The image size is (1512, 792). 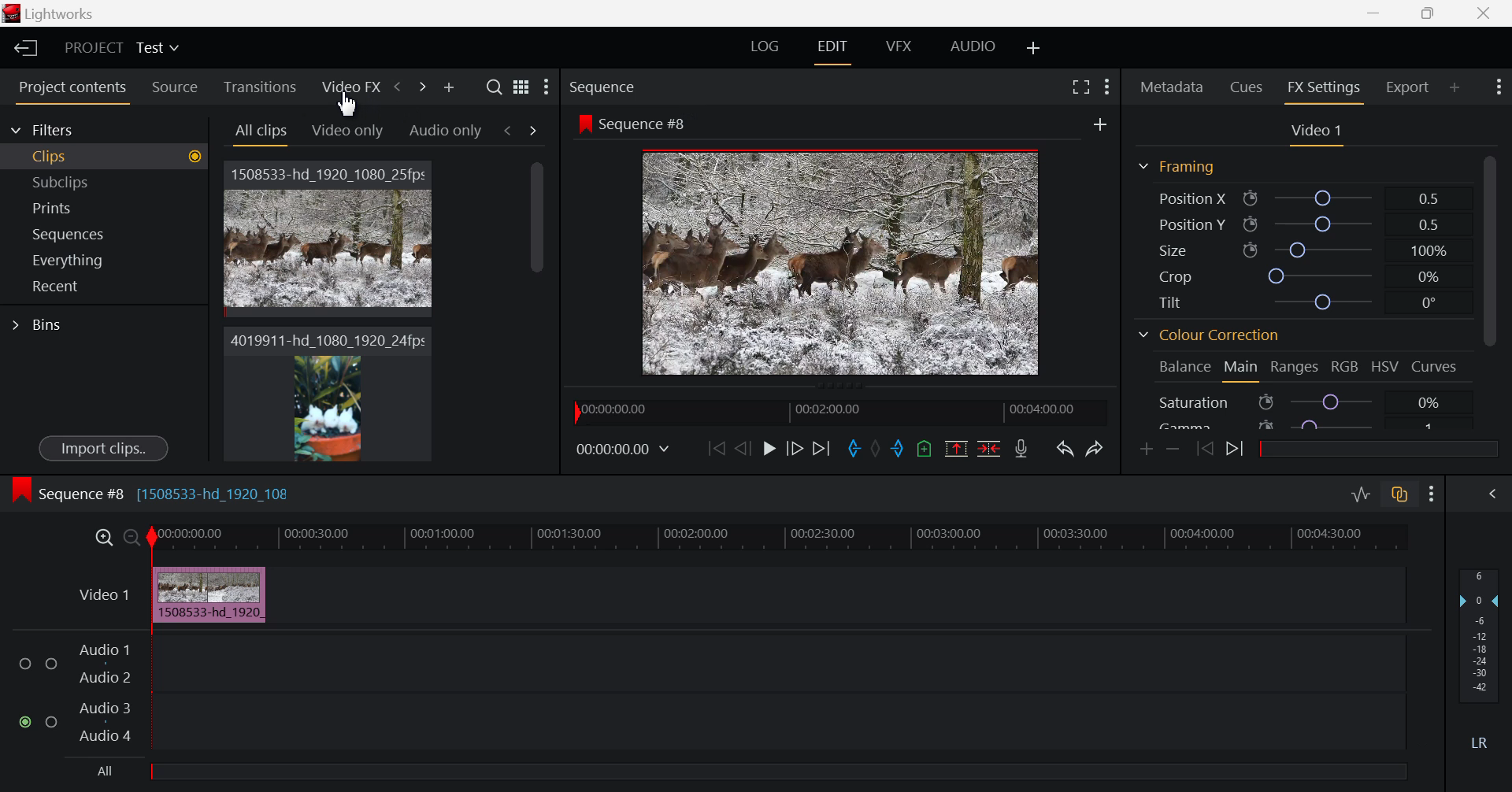 I want to click on All, so click(x=102, y=770).